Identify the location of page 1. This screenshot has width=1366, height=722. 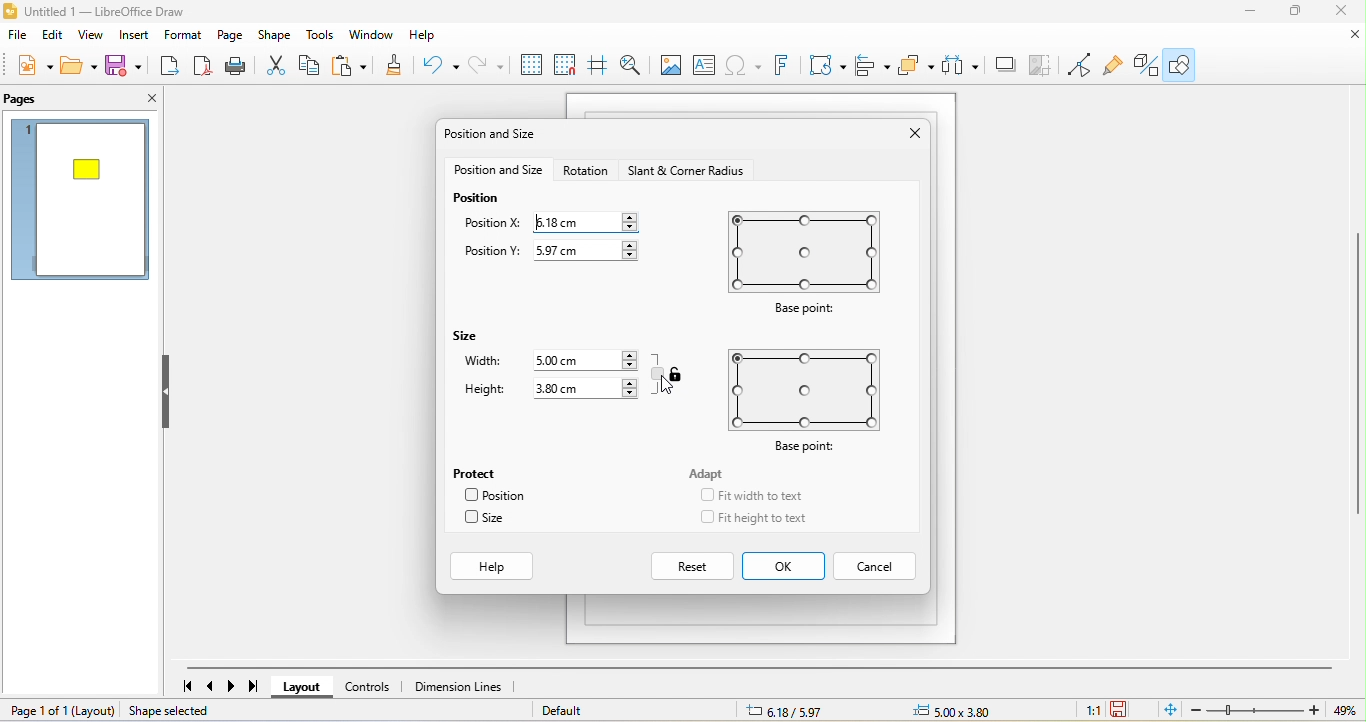
(82, 204).